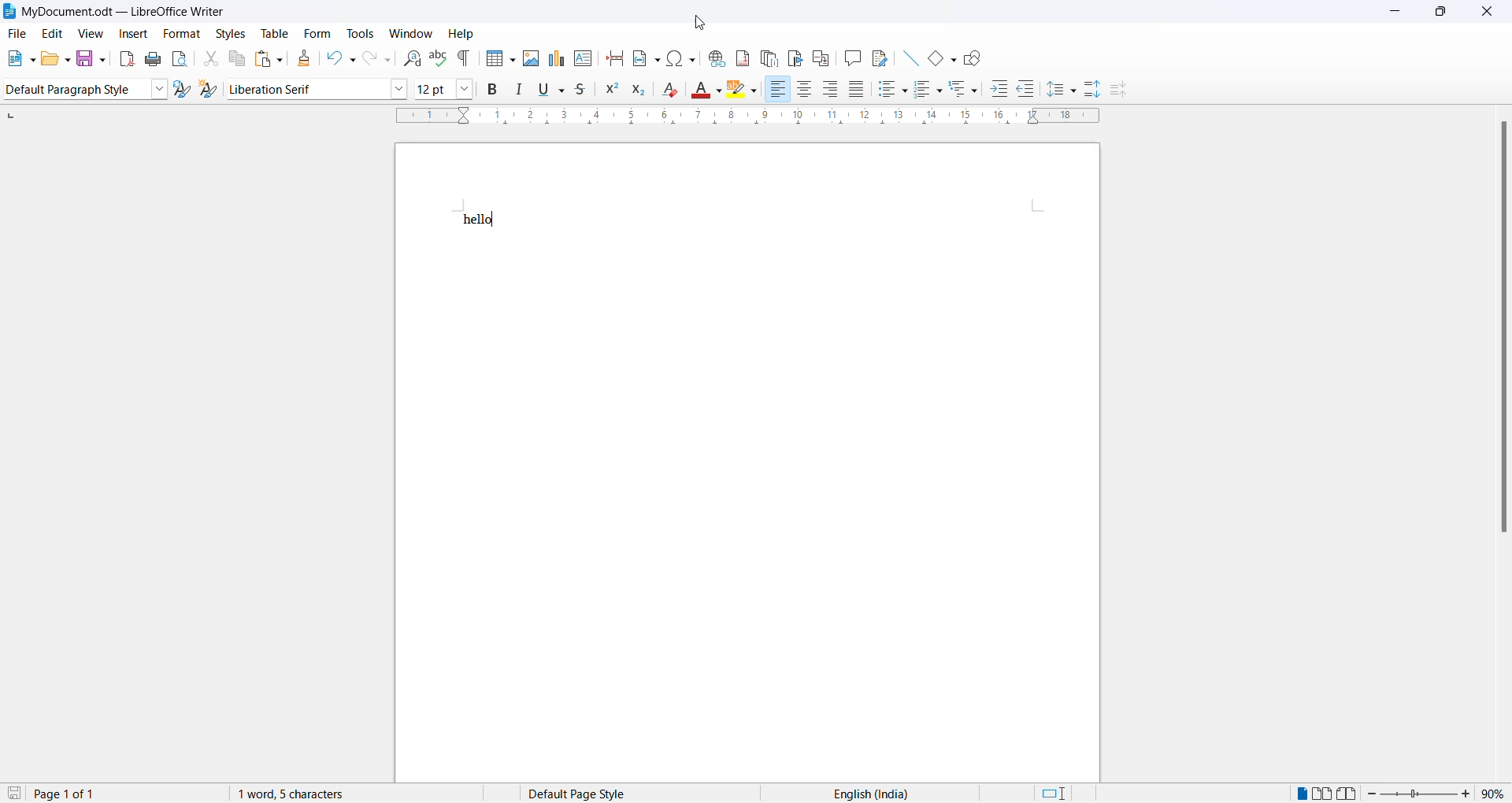 The image size is (1512, 803). I want to click on ruler, so click(747, 117).